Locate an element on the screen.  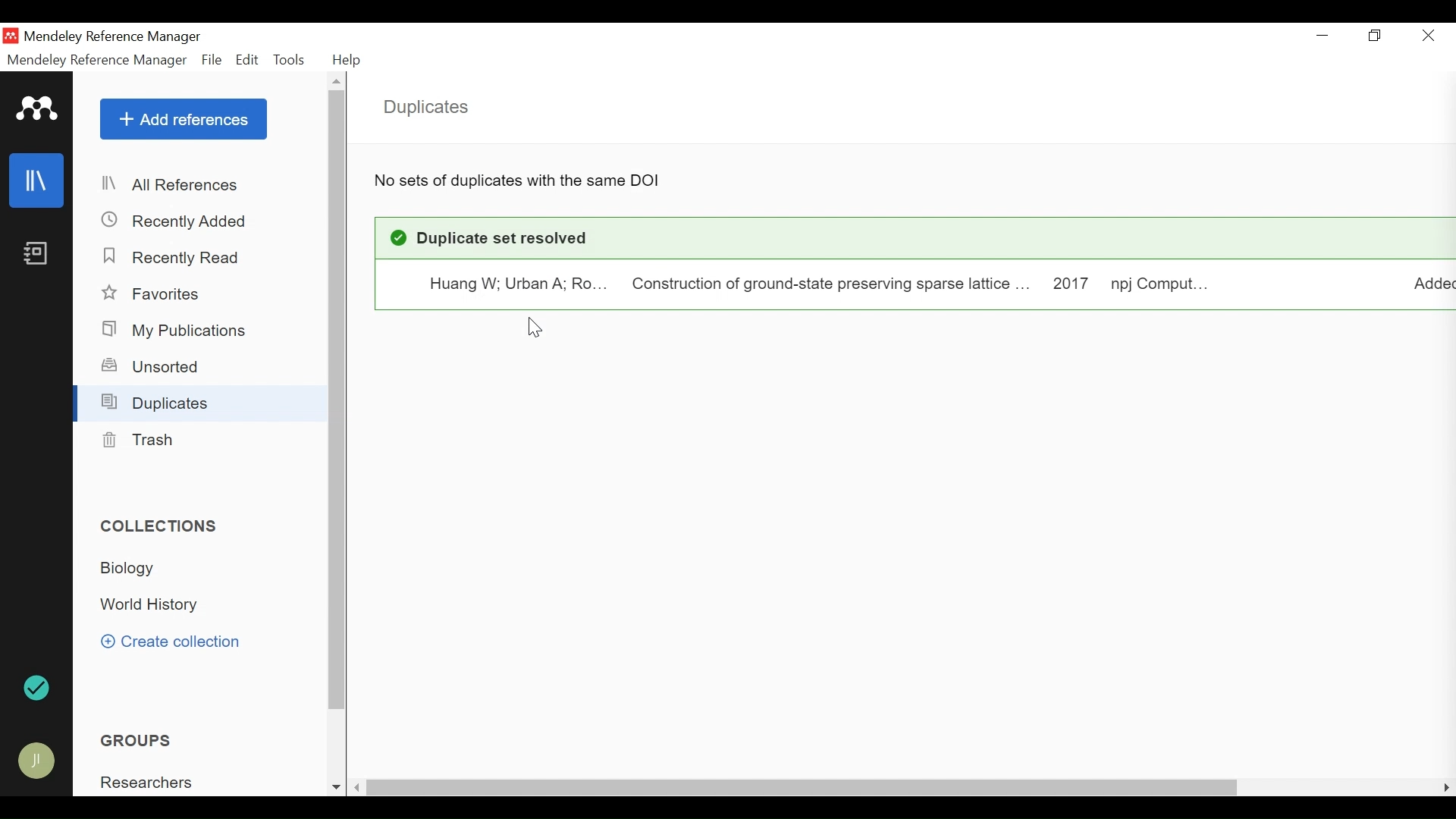
Collection is located at coordinates (133, 568).